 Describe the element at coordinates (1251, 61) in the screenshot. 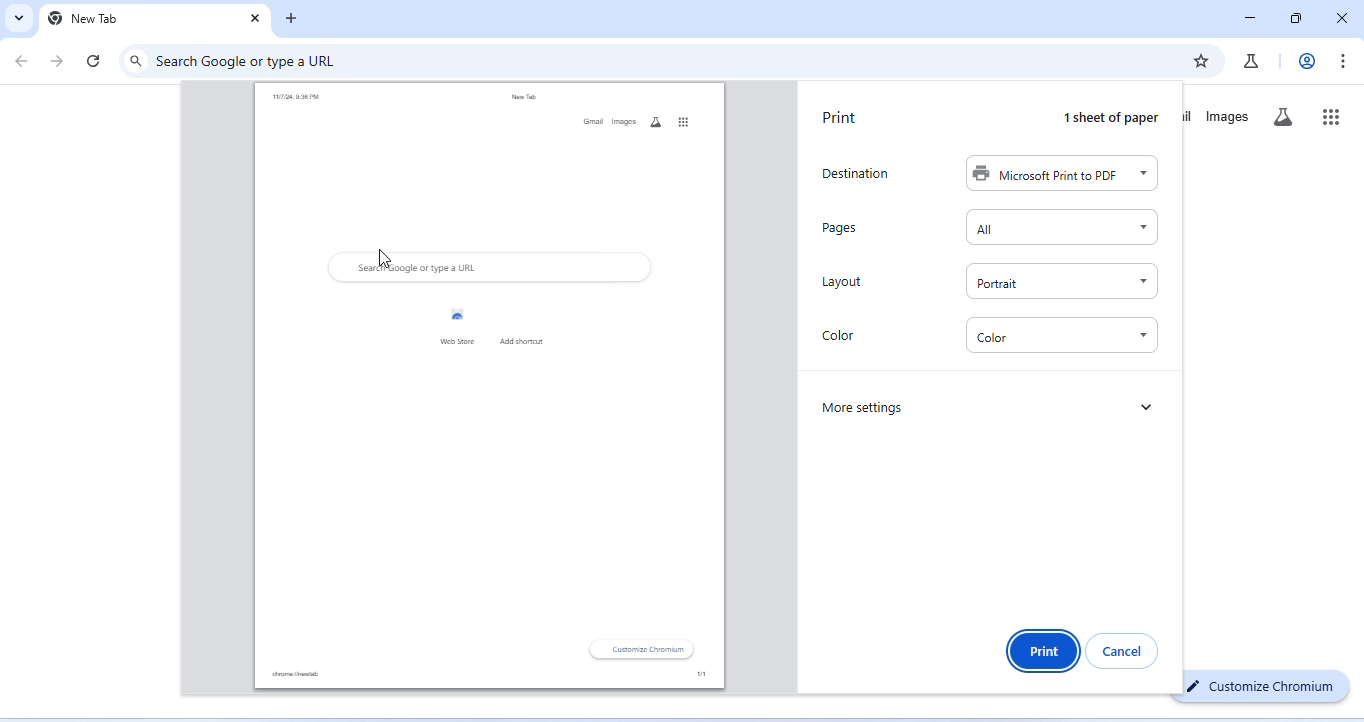

I see `chrome labs` at that location.